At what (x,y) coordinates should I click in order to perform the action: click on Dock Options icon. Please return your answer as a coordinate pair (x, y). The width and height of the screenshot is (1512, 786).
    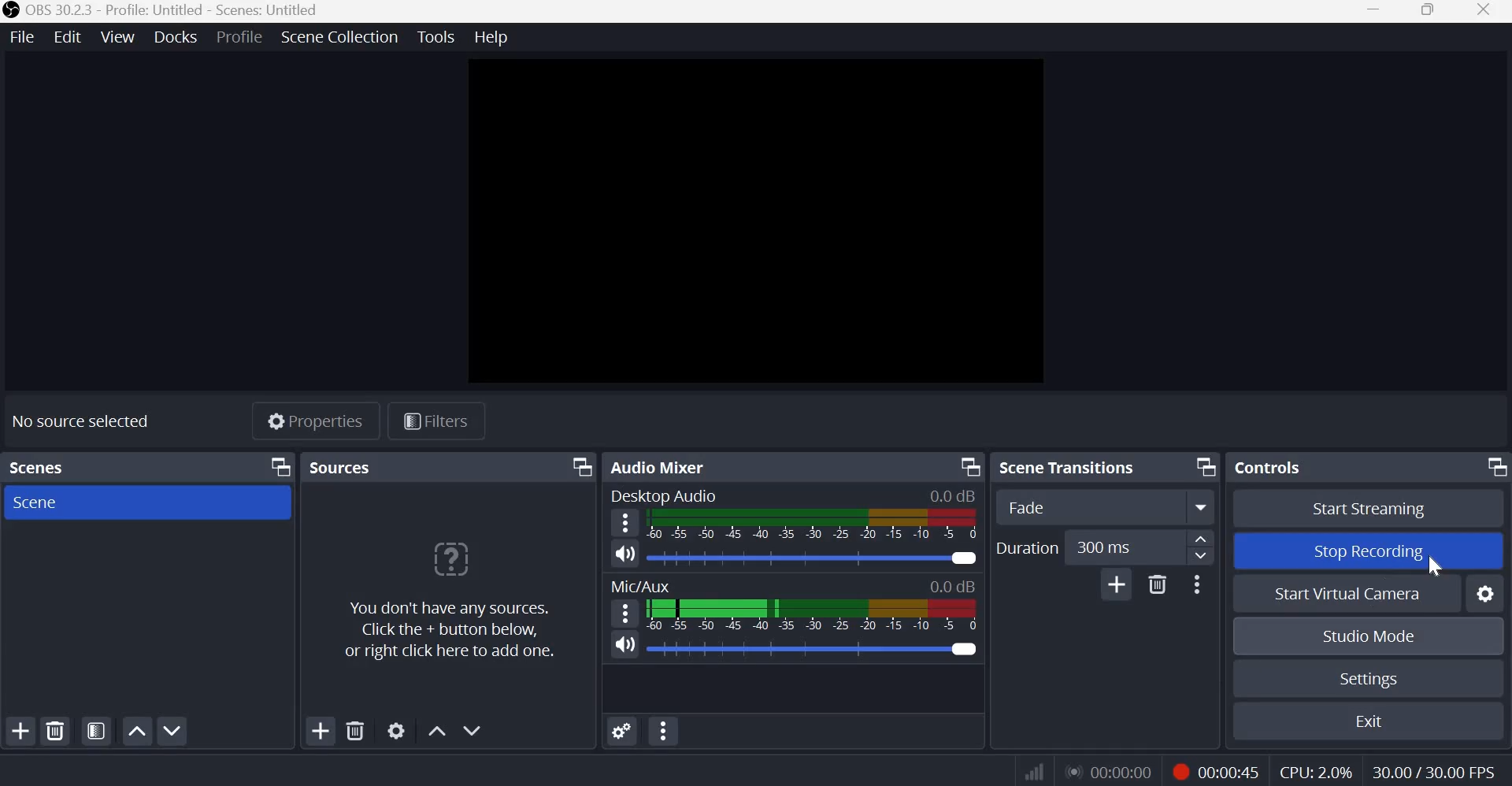
    Looking at the image, I should click on (579, 466).